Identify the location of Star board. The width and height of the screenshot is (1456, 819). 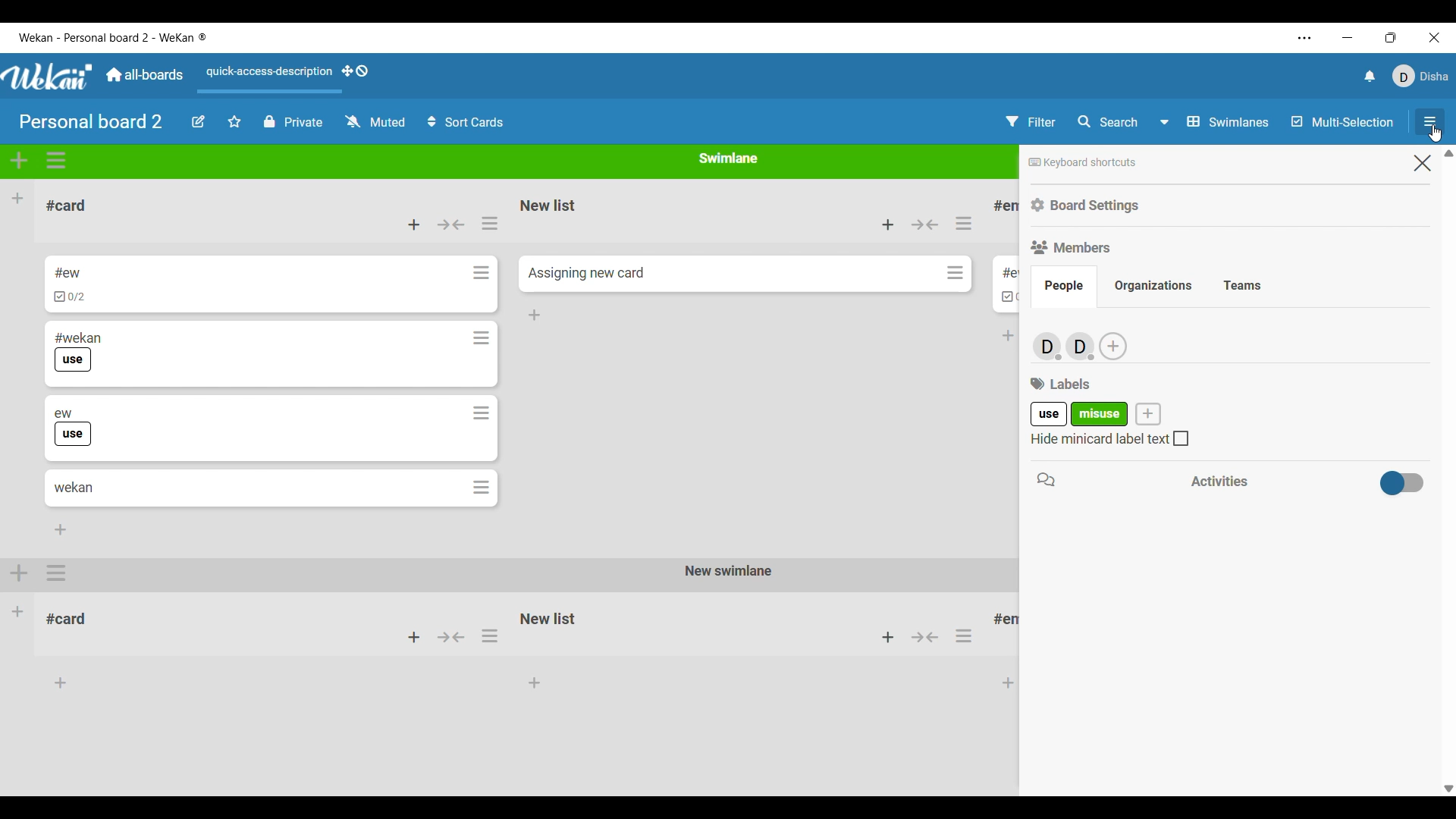
(235, 121).